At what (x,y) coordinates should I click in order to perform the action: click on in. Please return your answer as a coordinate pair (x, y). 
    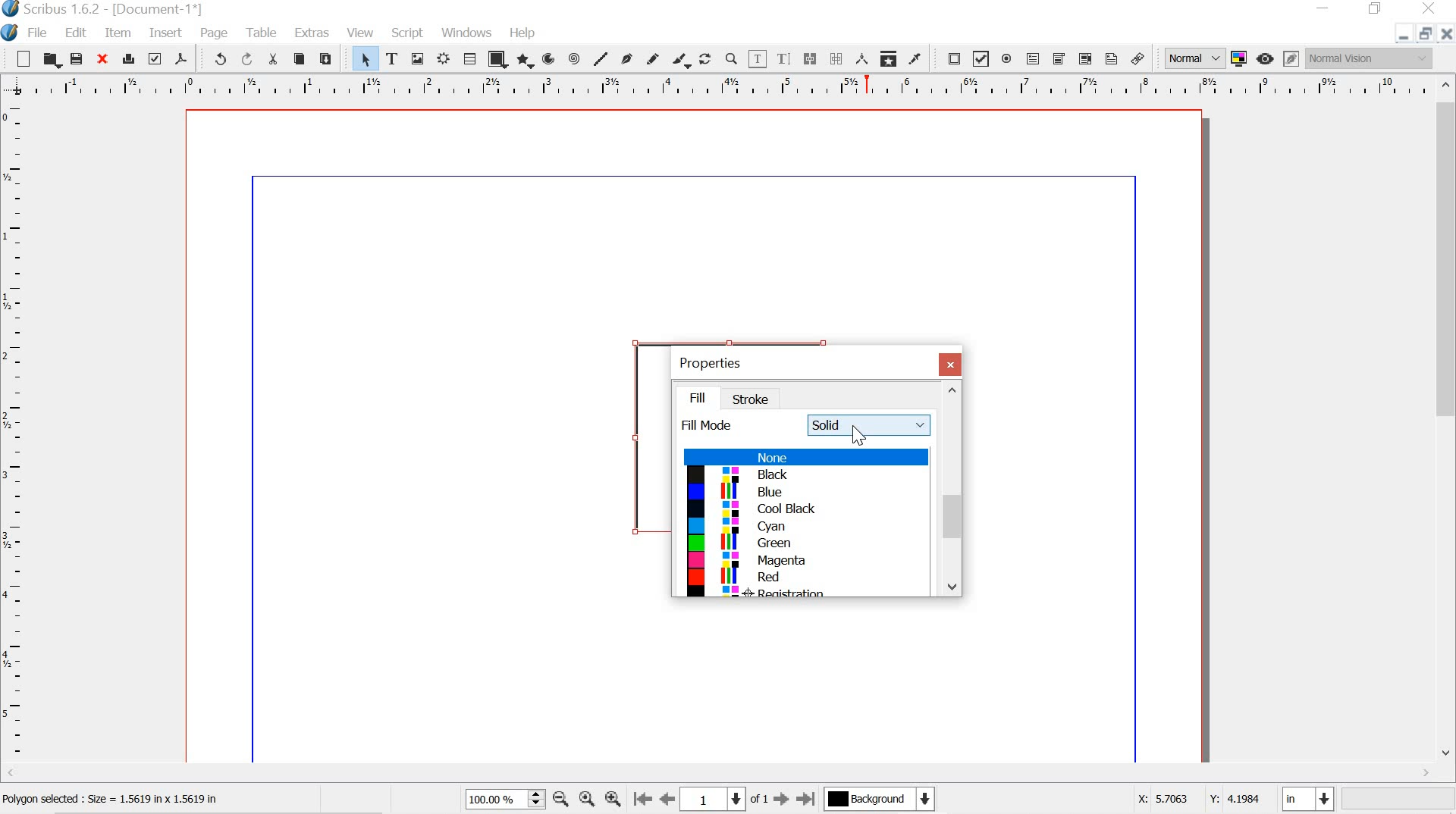
    Looking at the image, I should click on (1309, 799).